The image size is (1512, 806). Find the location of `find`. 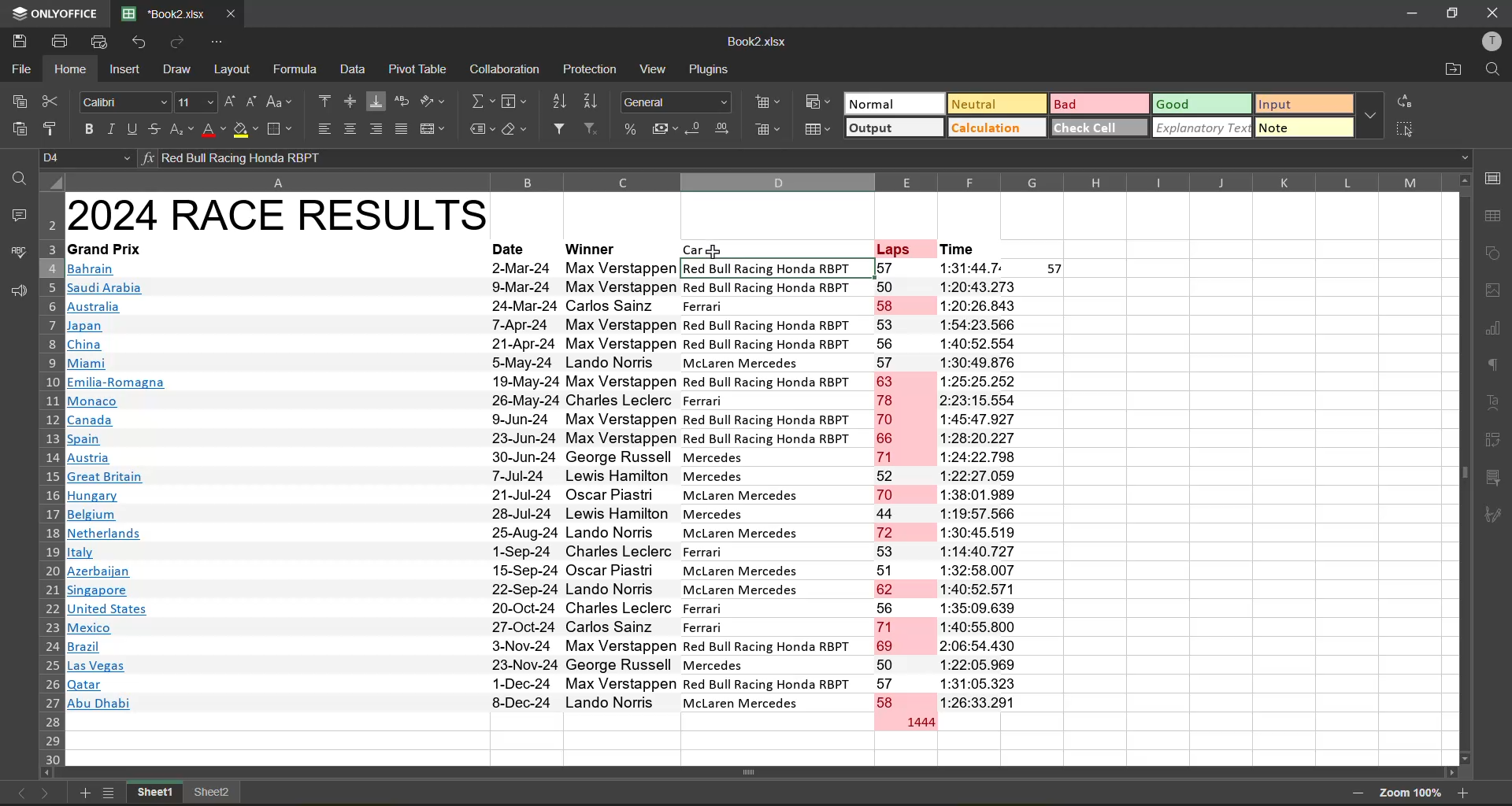

find is located at coordinates (16, 178).